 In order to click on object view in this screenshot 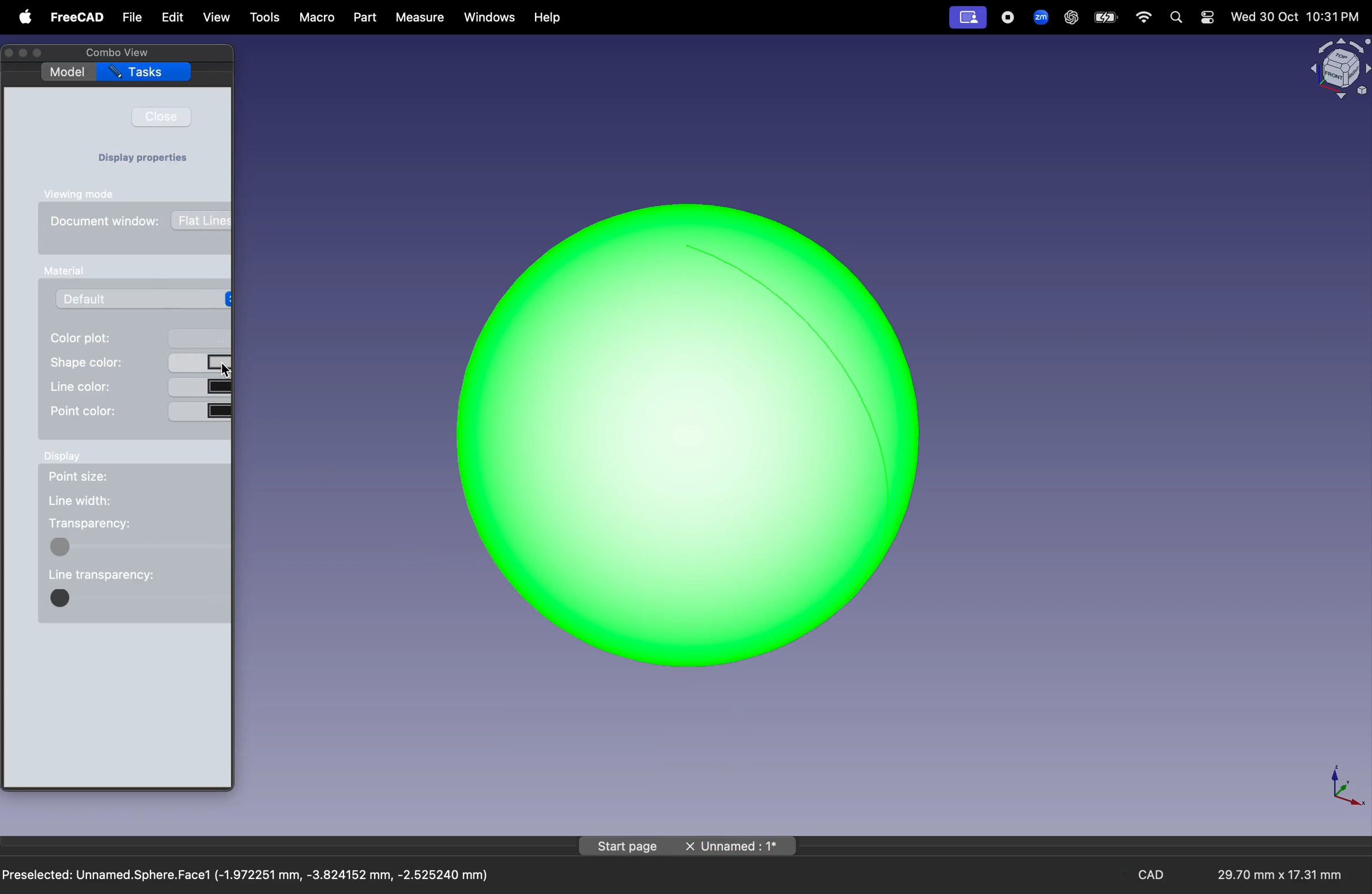, I will do `click(1338, 67)`.